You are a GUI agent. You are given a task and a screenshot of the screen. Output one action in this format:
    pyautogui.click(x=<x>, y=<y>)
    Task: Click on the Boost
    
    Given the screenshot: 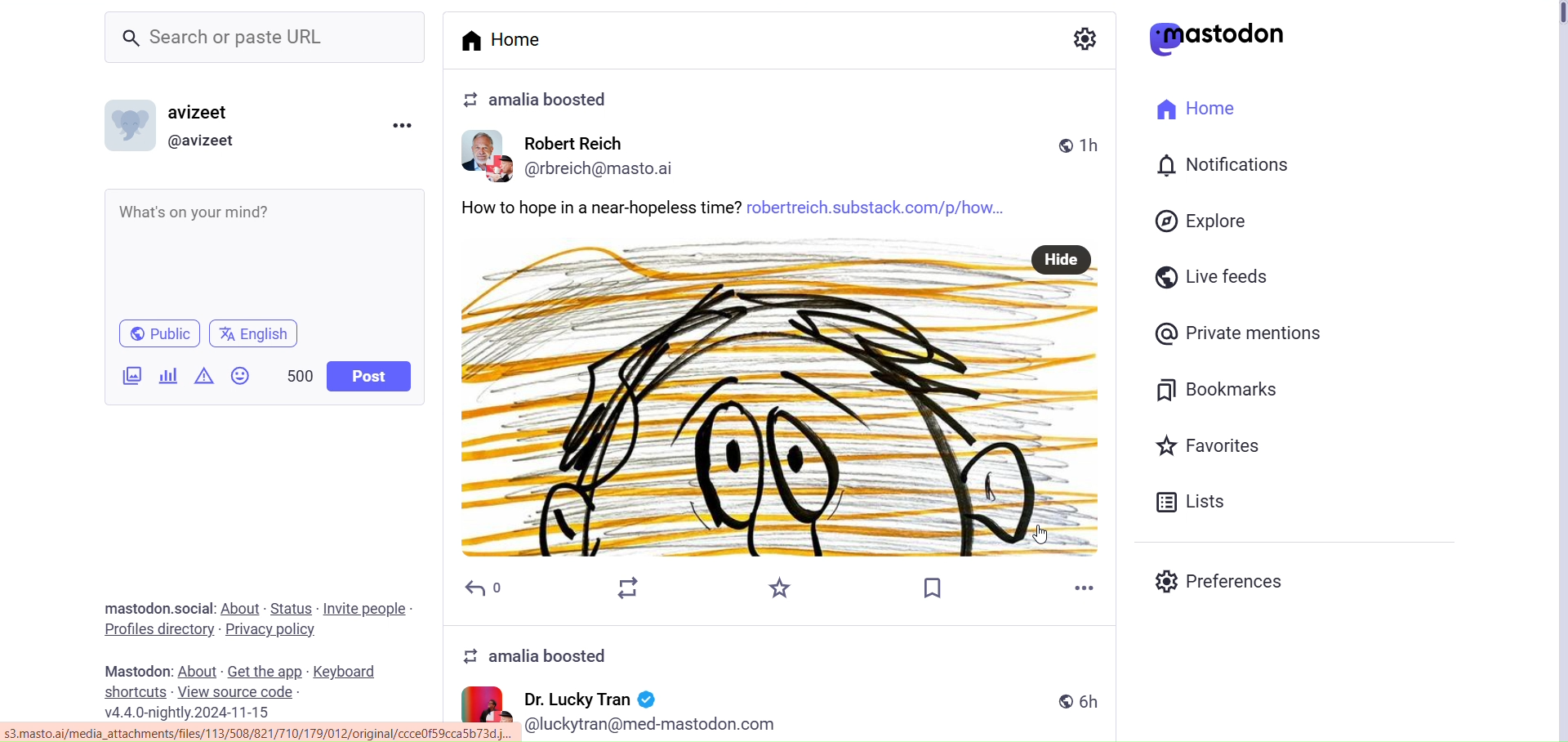 What is the action you would take?
    pyautogui.click(x=632, y=586)
    